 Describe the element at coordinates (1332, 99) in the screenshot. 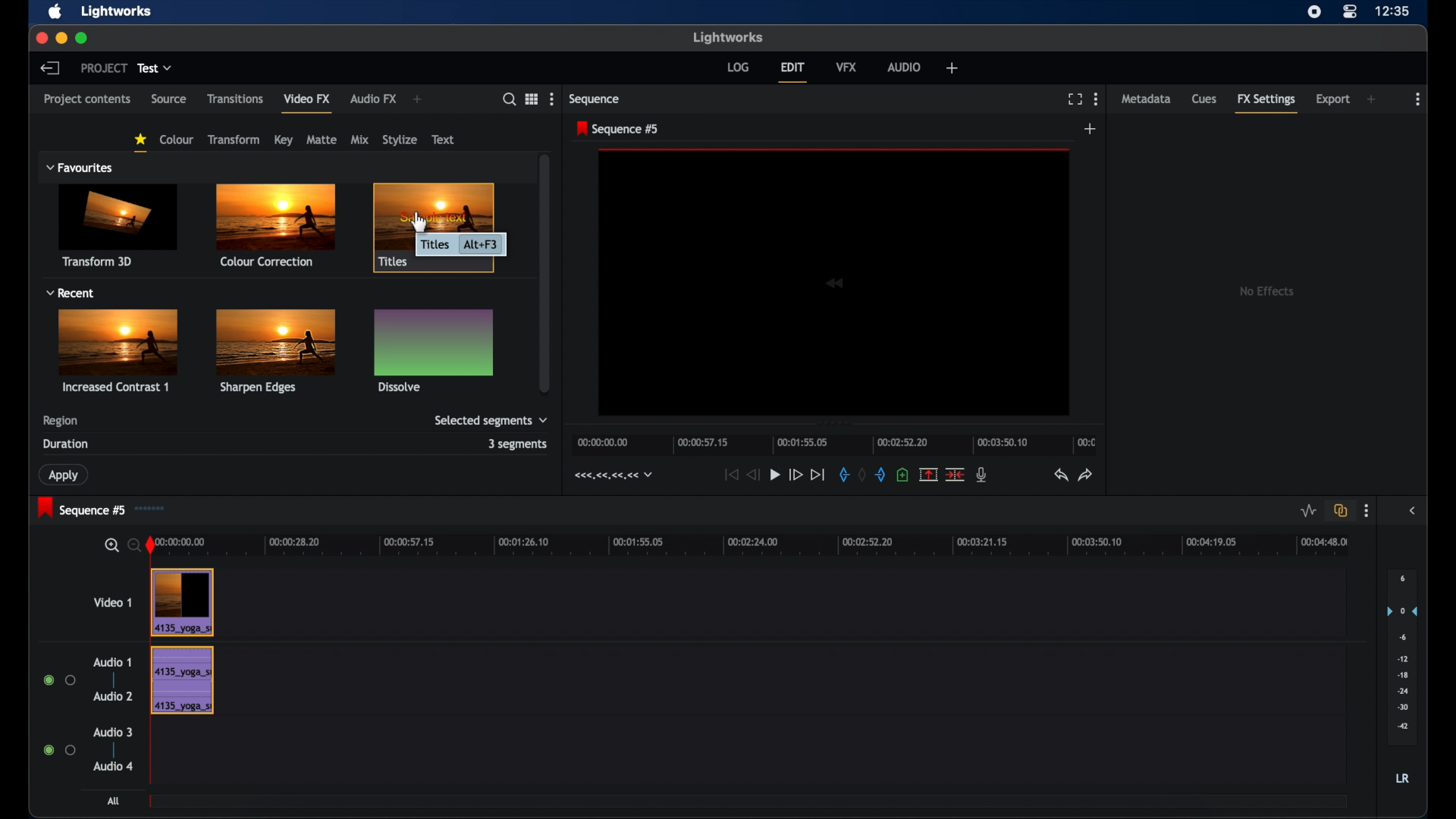

I see `export` at that location.